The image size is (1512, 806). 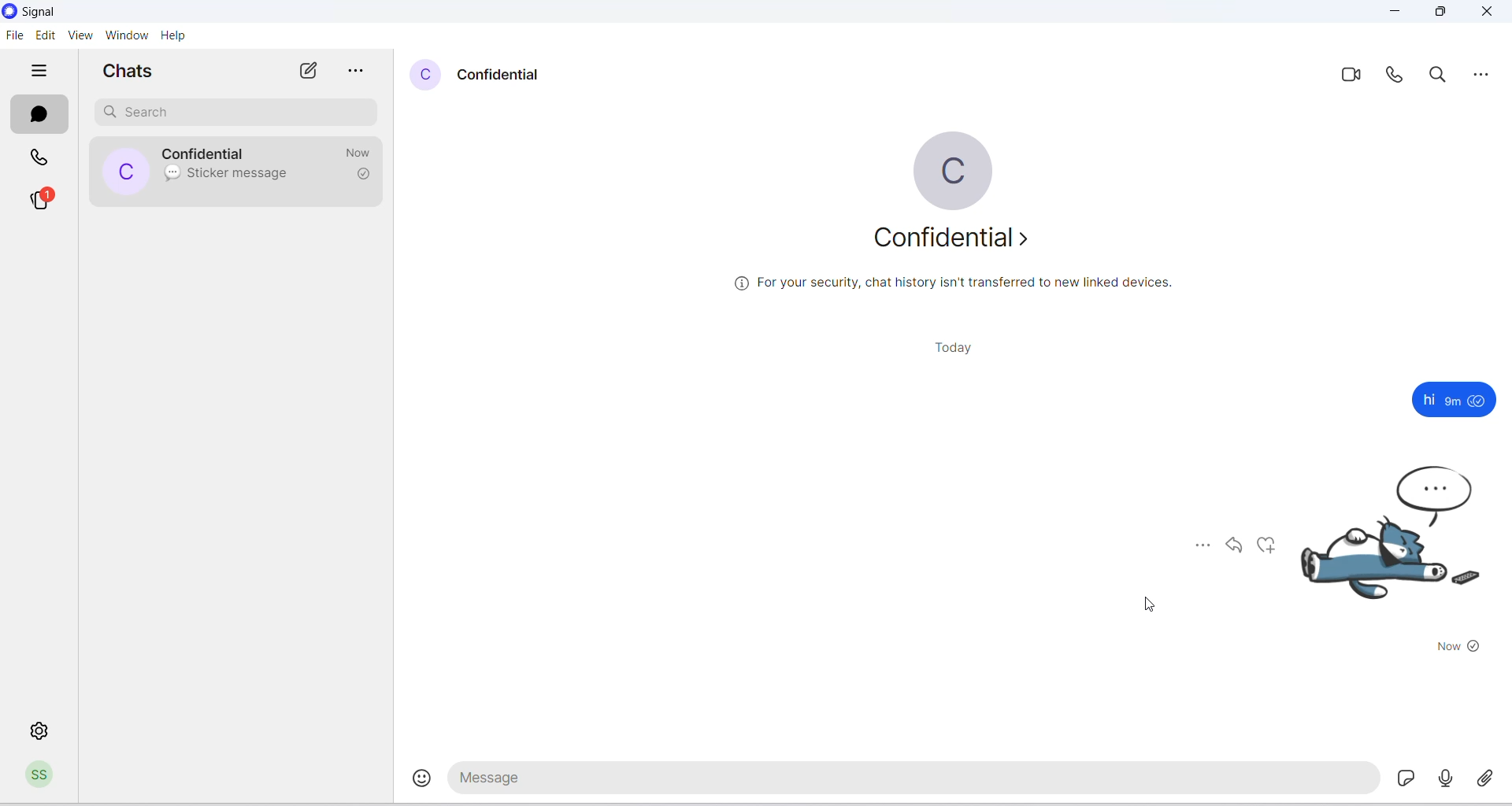 What do you see at coordinates (173, 35) in the screenshot?
I see `help` at bounding box center [173, 35].